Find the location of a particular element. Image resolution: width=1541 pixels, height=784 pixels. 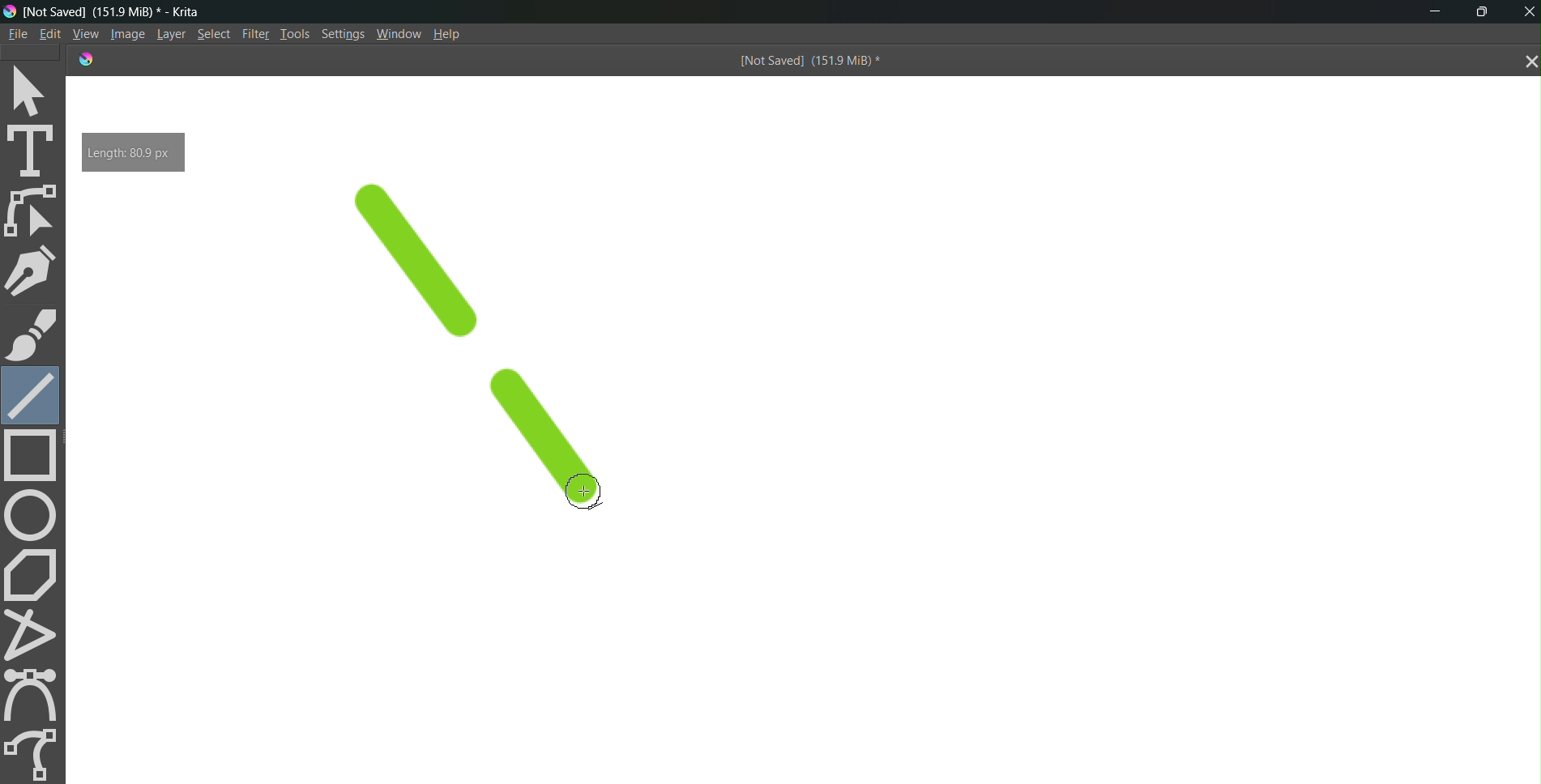

Filte is located at coordinates (252, 32).